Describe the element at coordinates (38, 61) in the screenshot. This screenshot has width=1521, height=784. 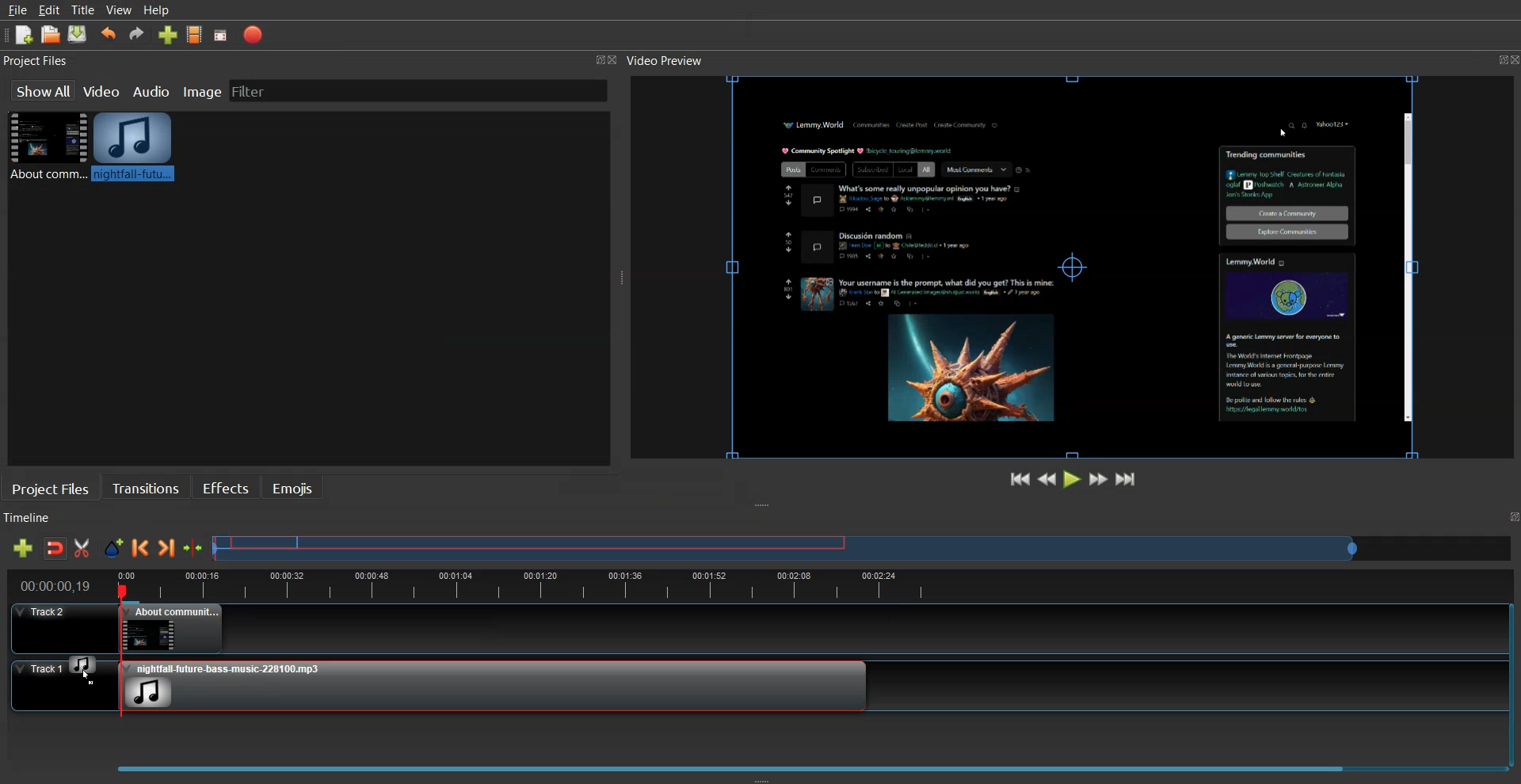
I see `Project Files` at that location.